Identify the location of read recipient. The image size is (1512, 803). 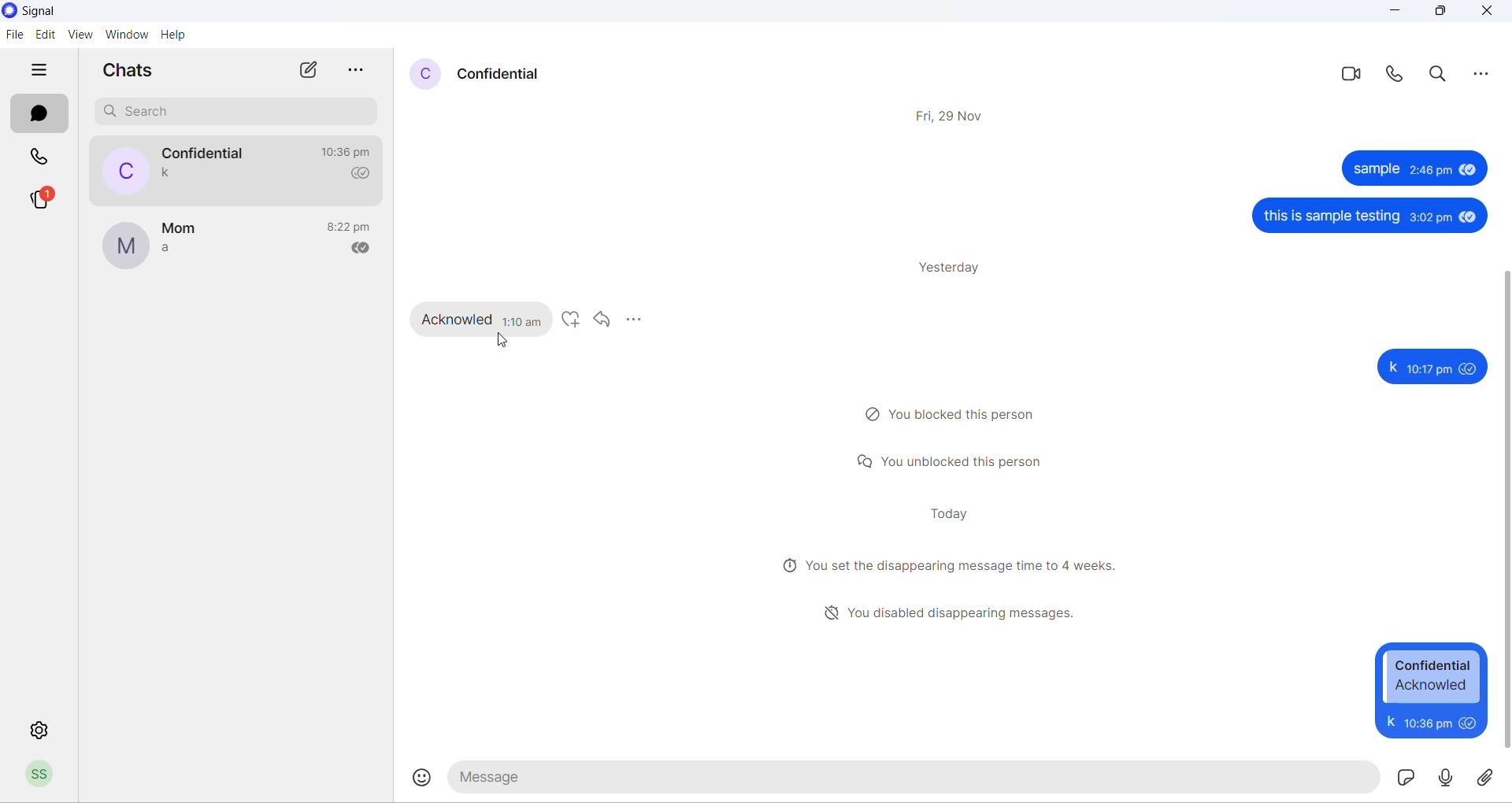
(365, 175).